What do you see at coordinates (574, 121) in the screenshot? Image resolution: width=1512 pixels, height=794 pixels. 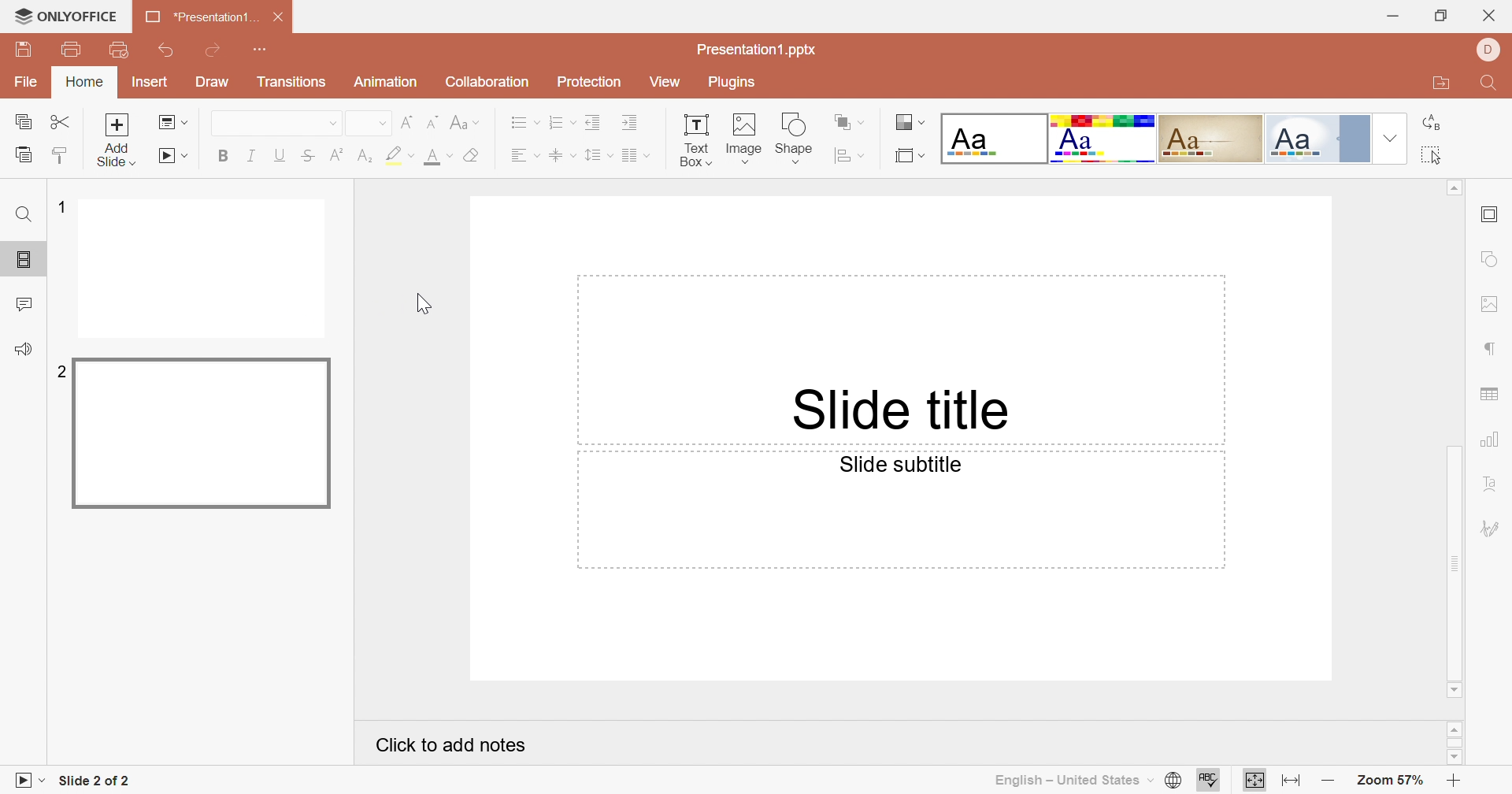 I see `Drop Down` at bounding box center [574, 121].